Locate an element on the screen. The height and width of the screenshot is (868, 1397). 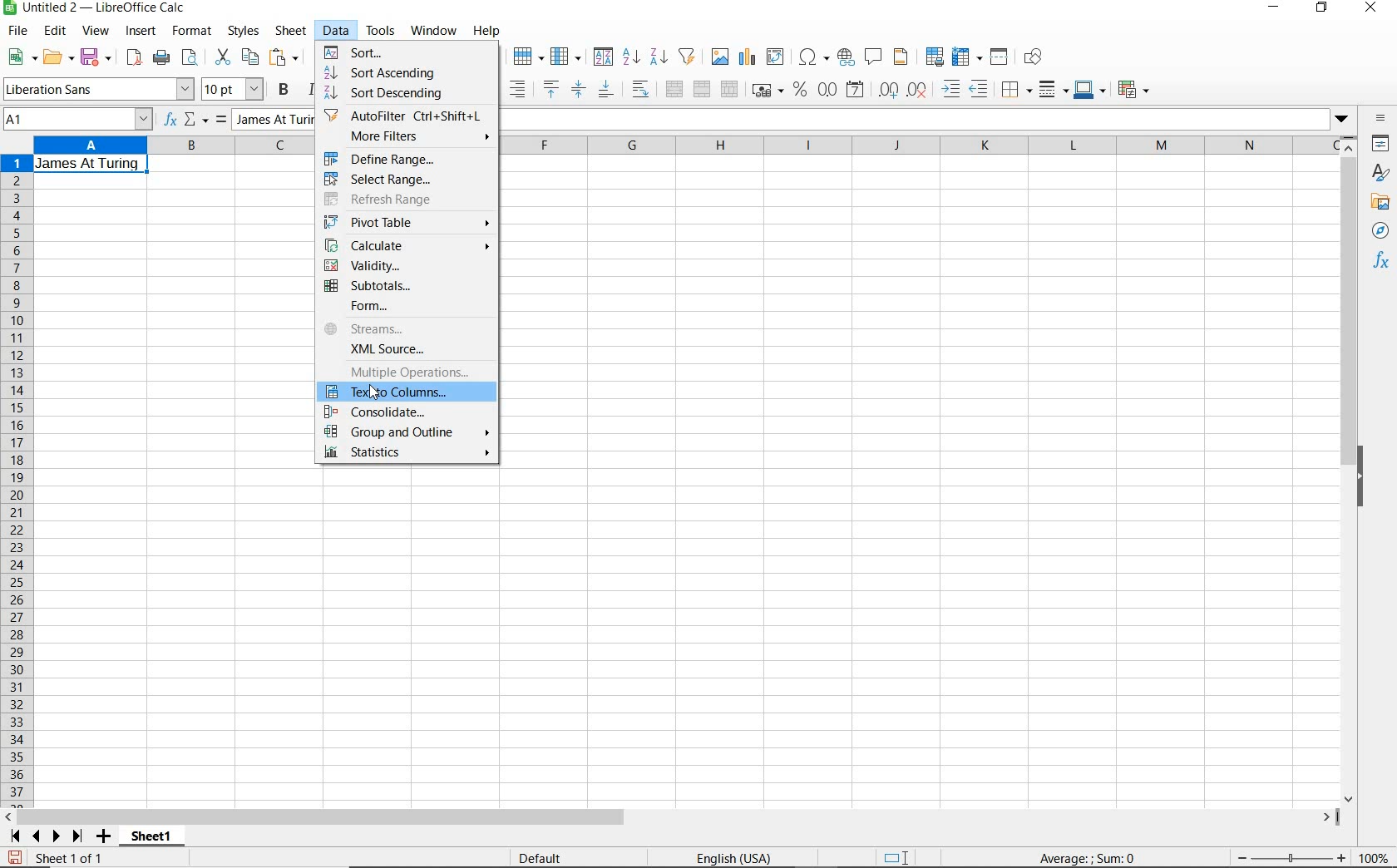
split window is located at coordinates (1000, 57).